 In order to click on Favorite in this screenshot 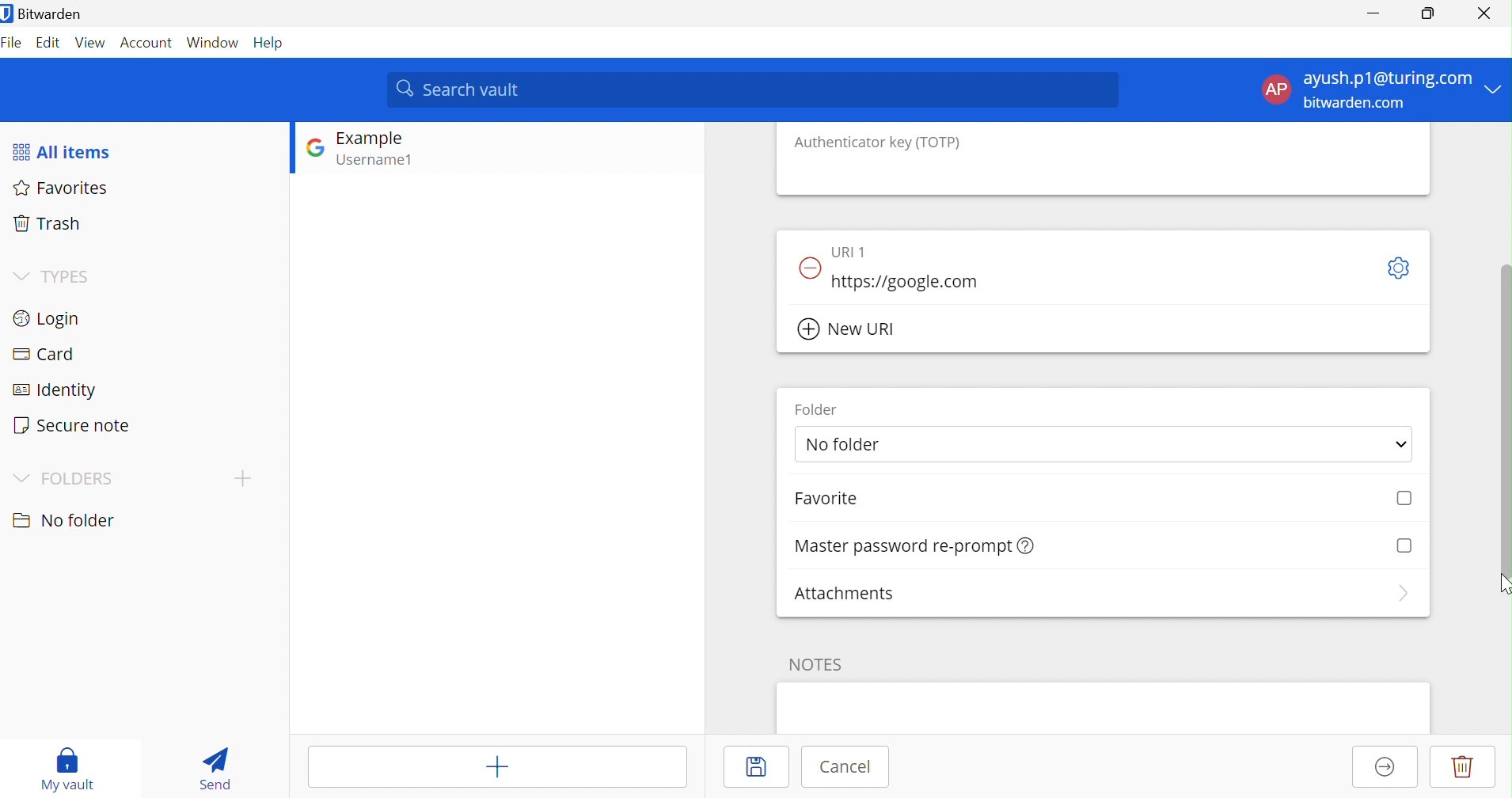, I will do `click(826, 498)`.